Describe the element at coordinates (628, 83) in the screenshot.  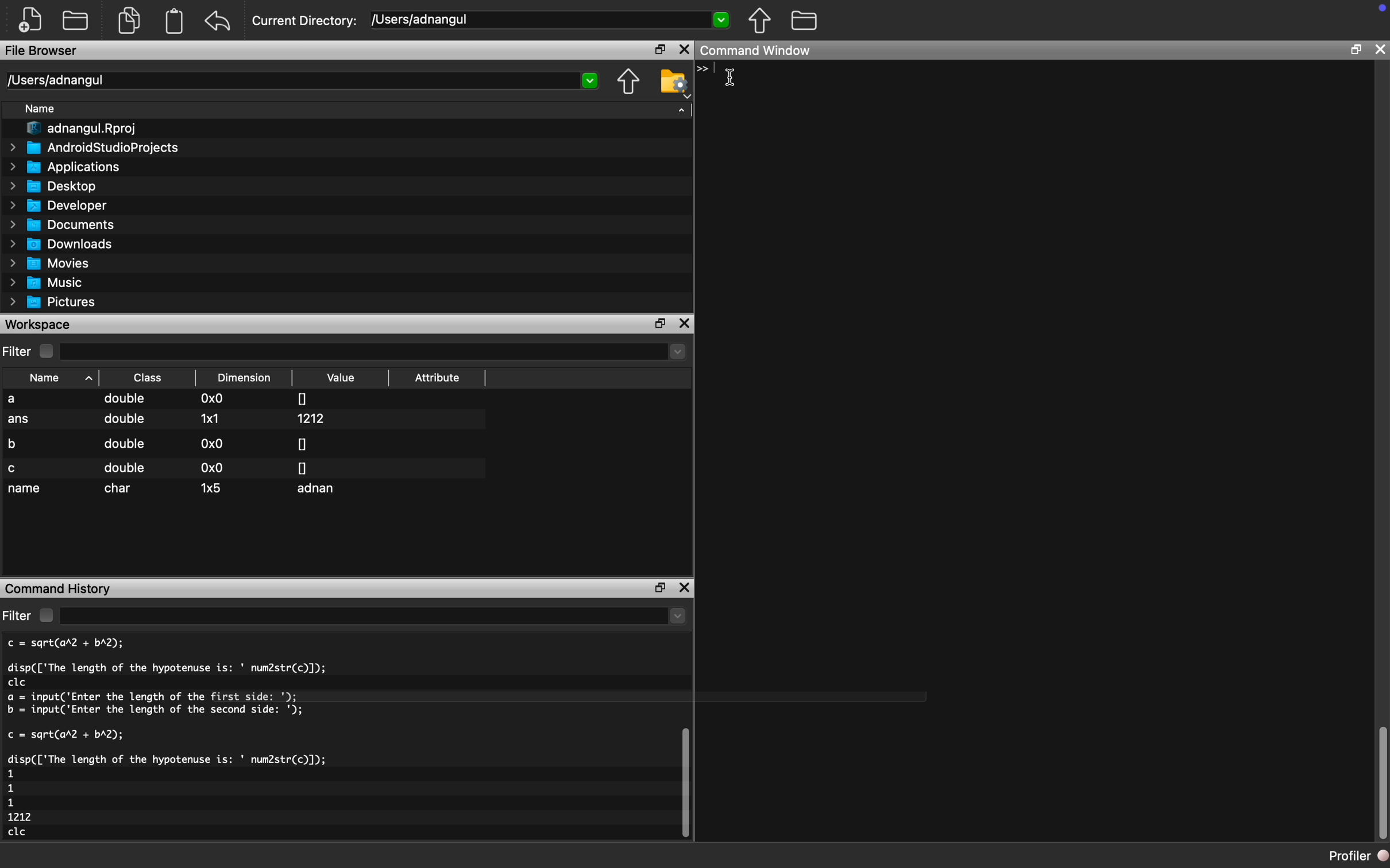
I see `move up` at that location.